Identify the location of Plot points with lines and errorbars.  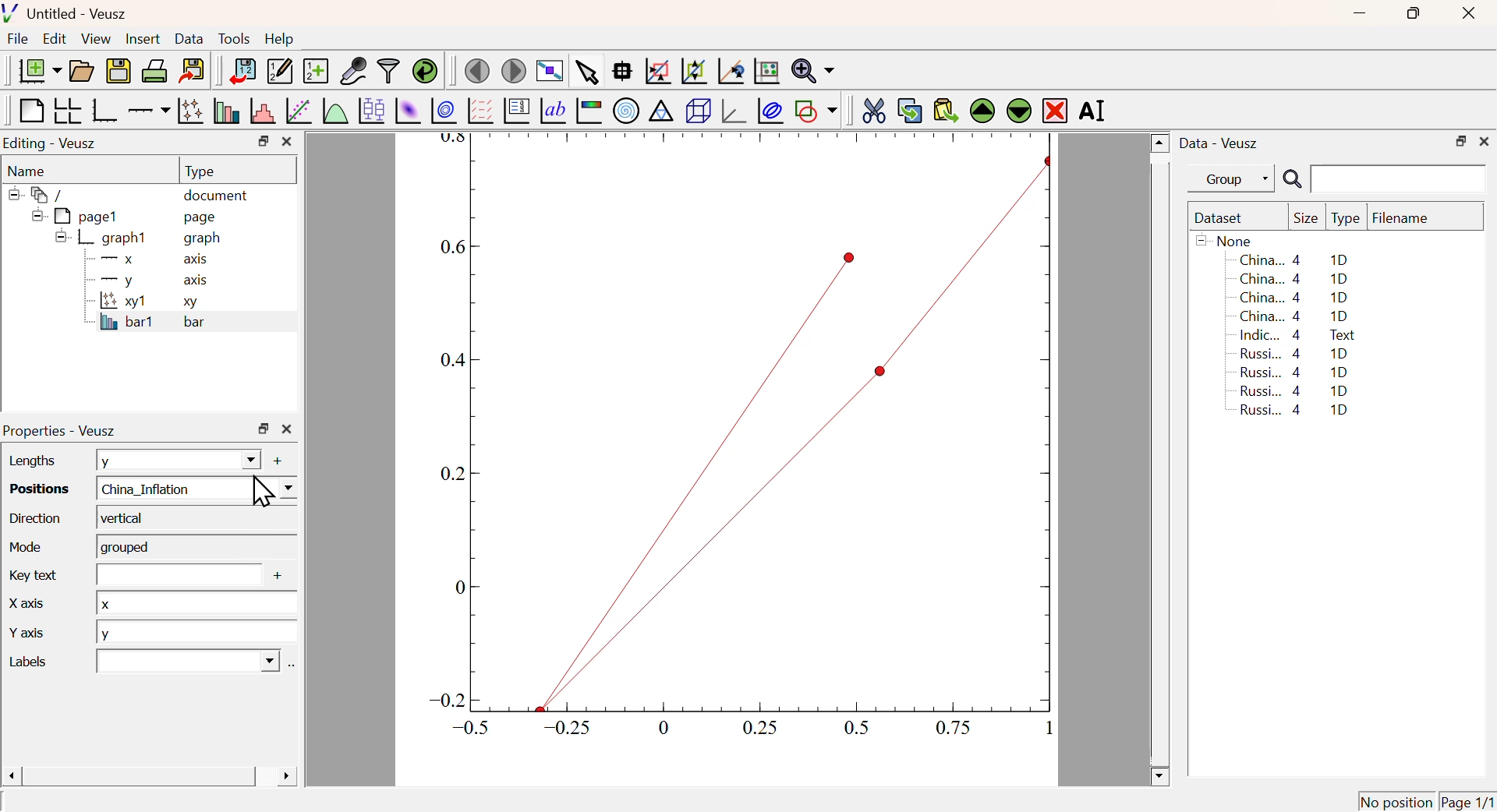
(192, 111).